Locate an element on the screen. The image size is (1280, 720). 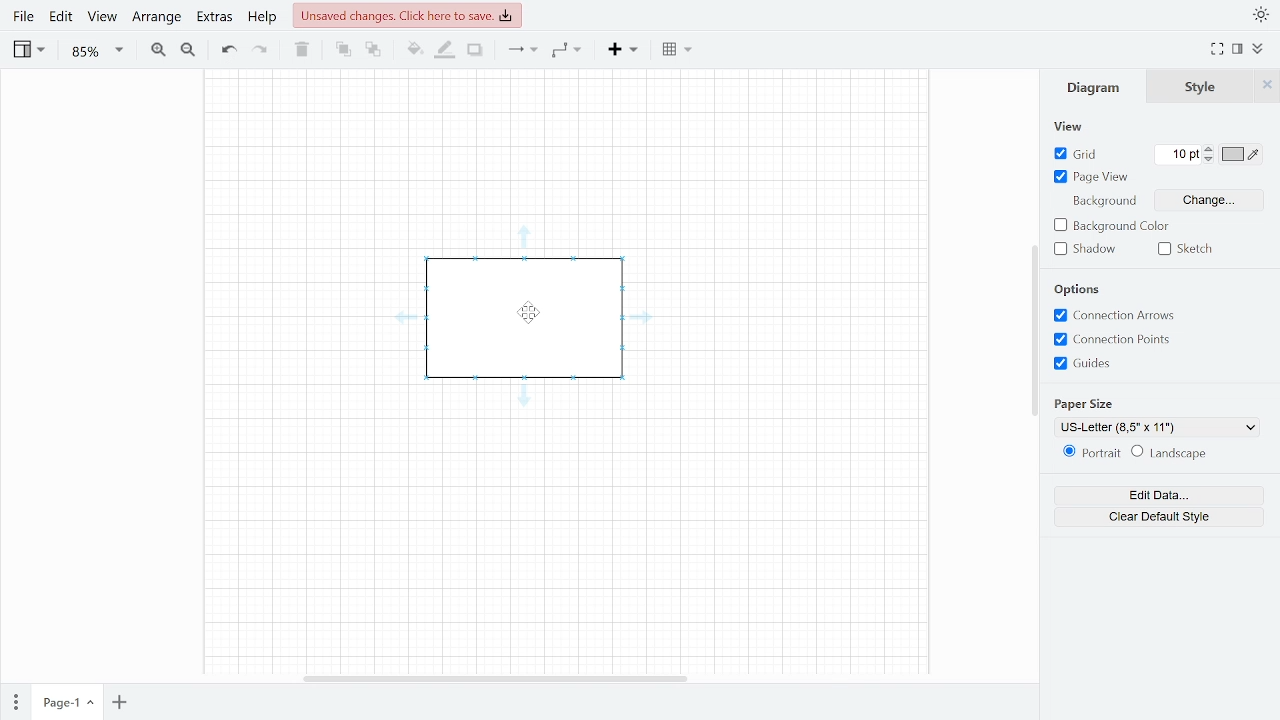
Arrange is located at coordinates (154, 18).